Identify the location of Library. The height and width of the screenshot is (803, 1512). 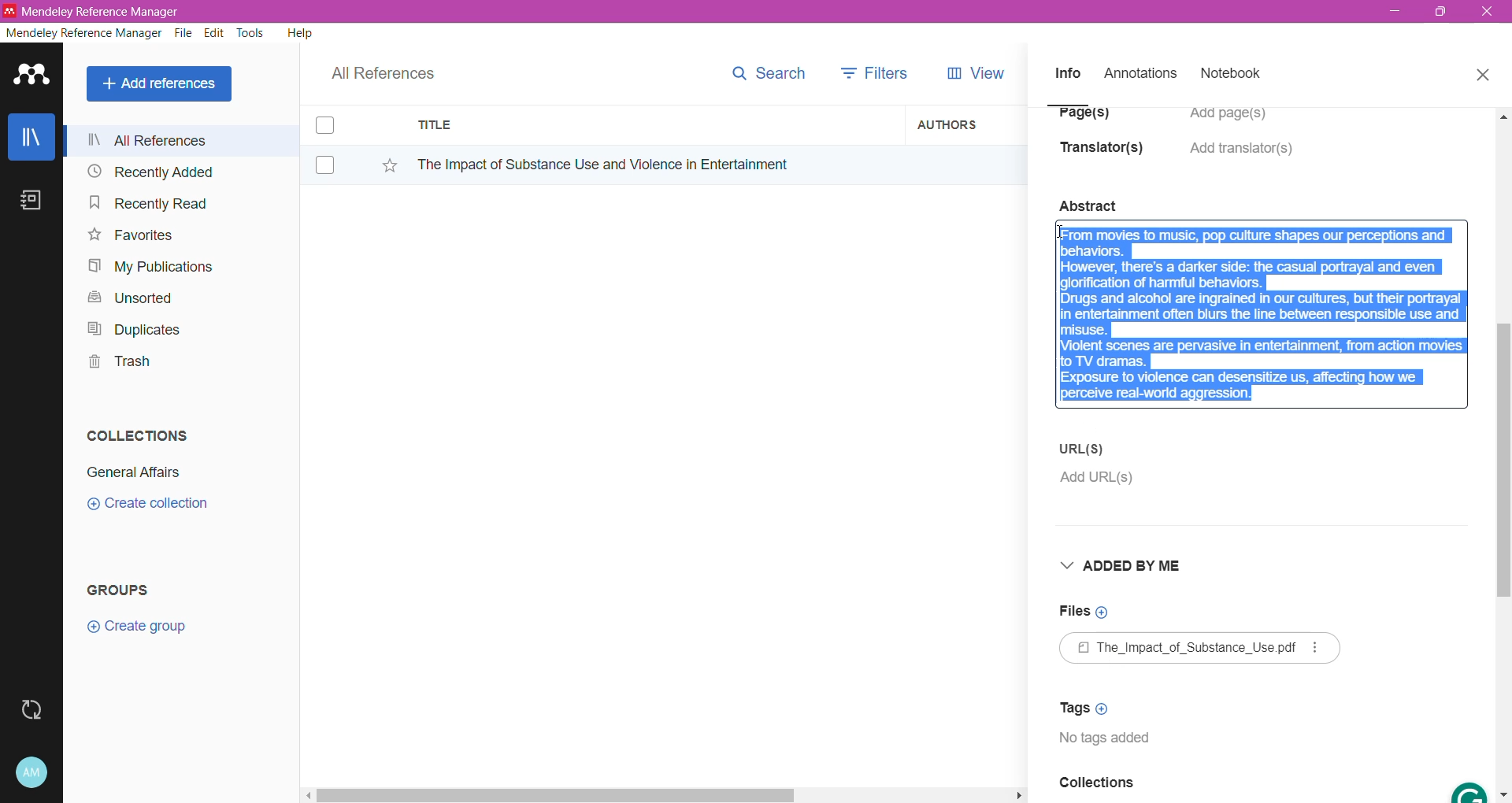
(31, 139).